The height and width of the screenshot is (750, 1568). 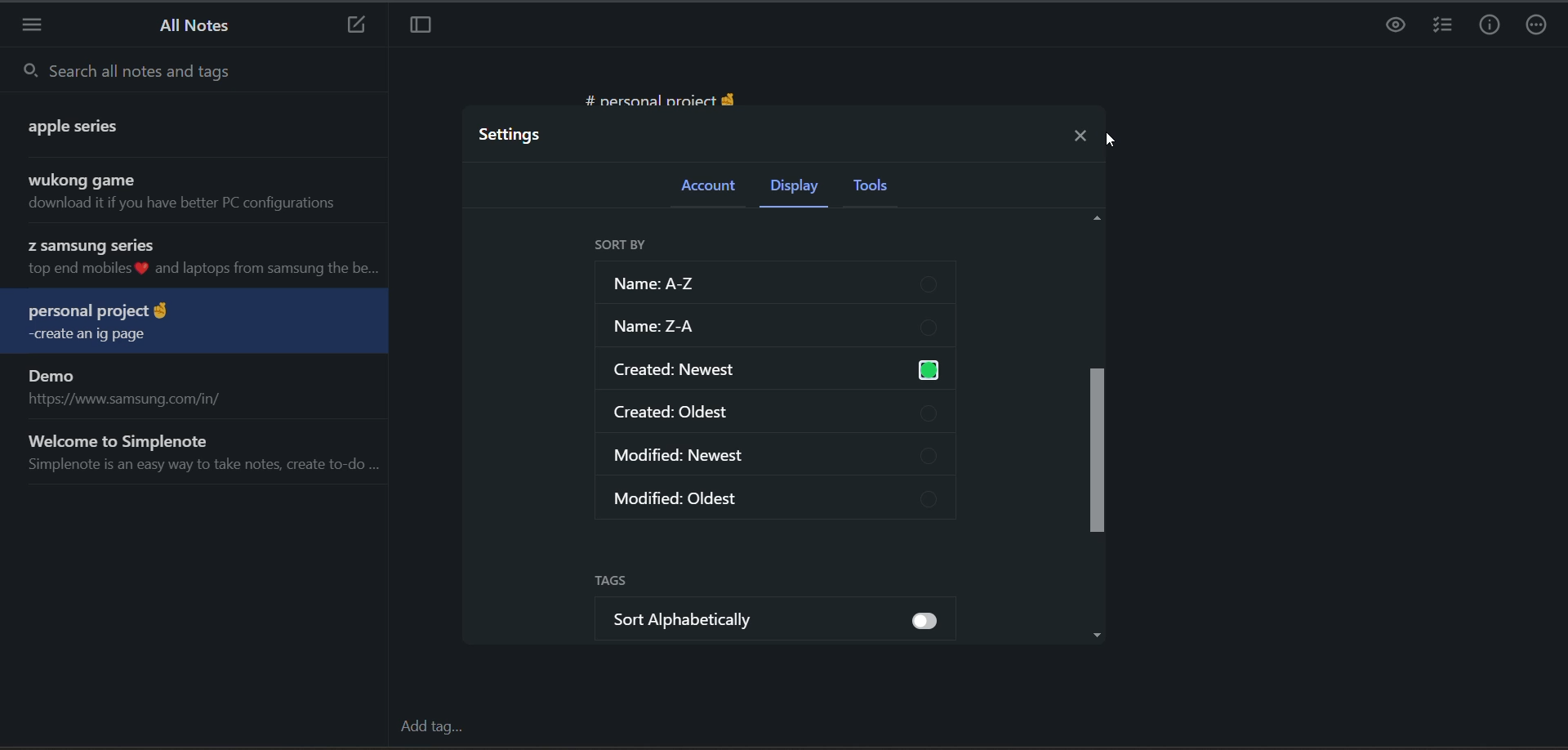 I want to click on tools, so click(x=891, y=191).